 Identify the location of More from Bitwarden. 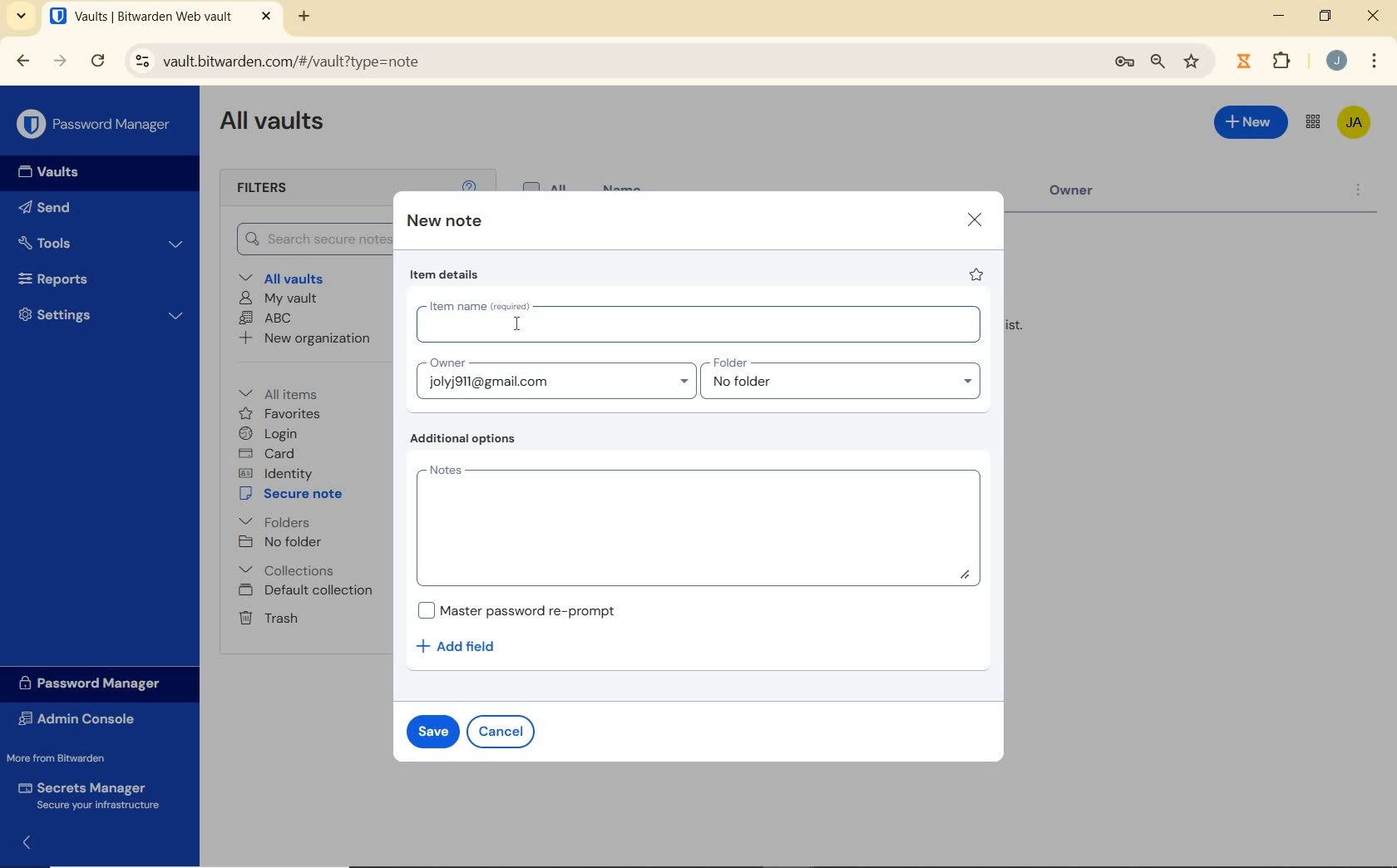
(67, 757).